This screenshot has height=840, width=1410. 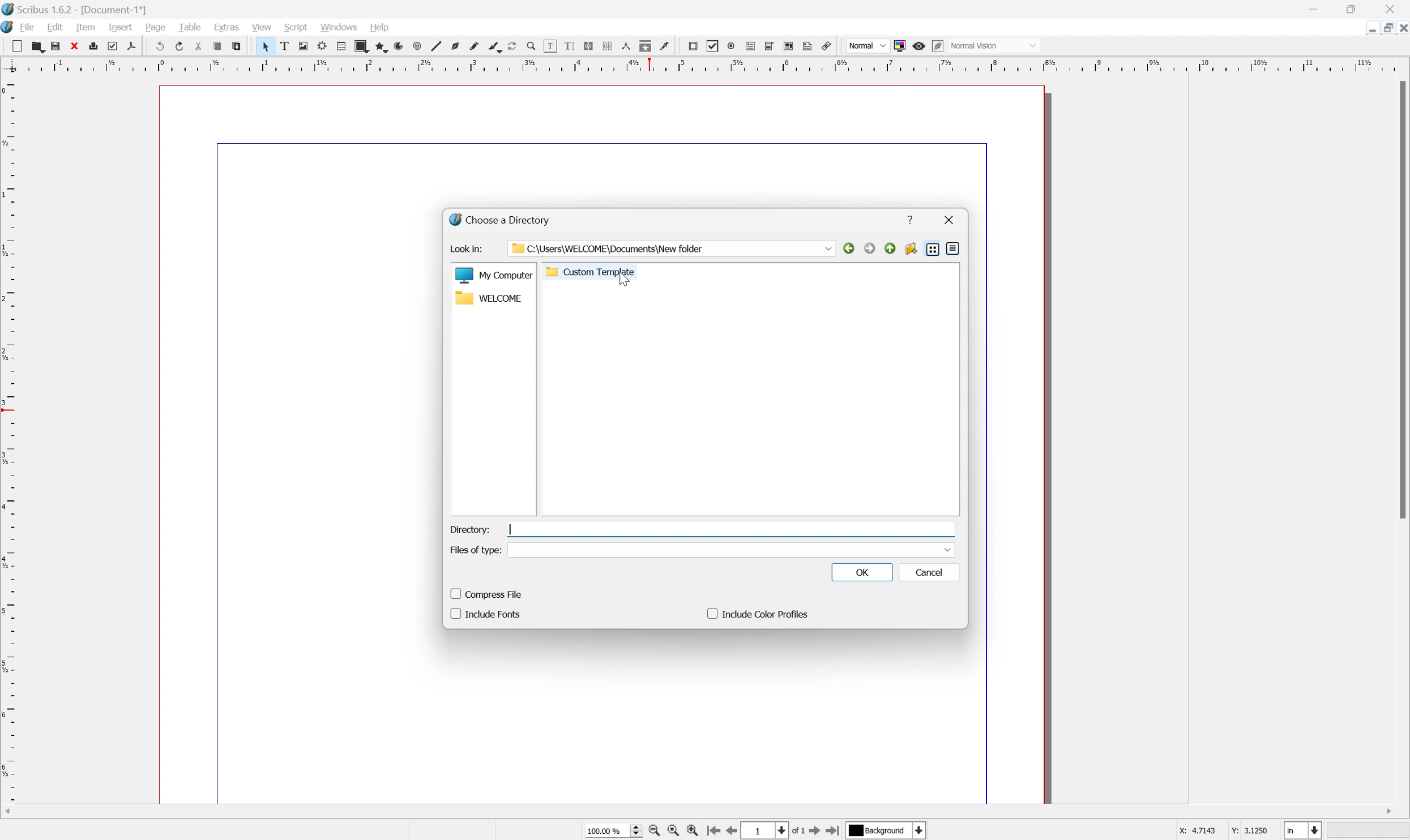 I want to click on cancel, so click(x=933, y=572).